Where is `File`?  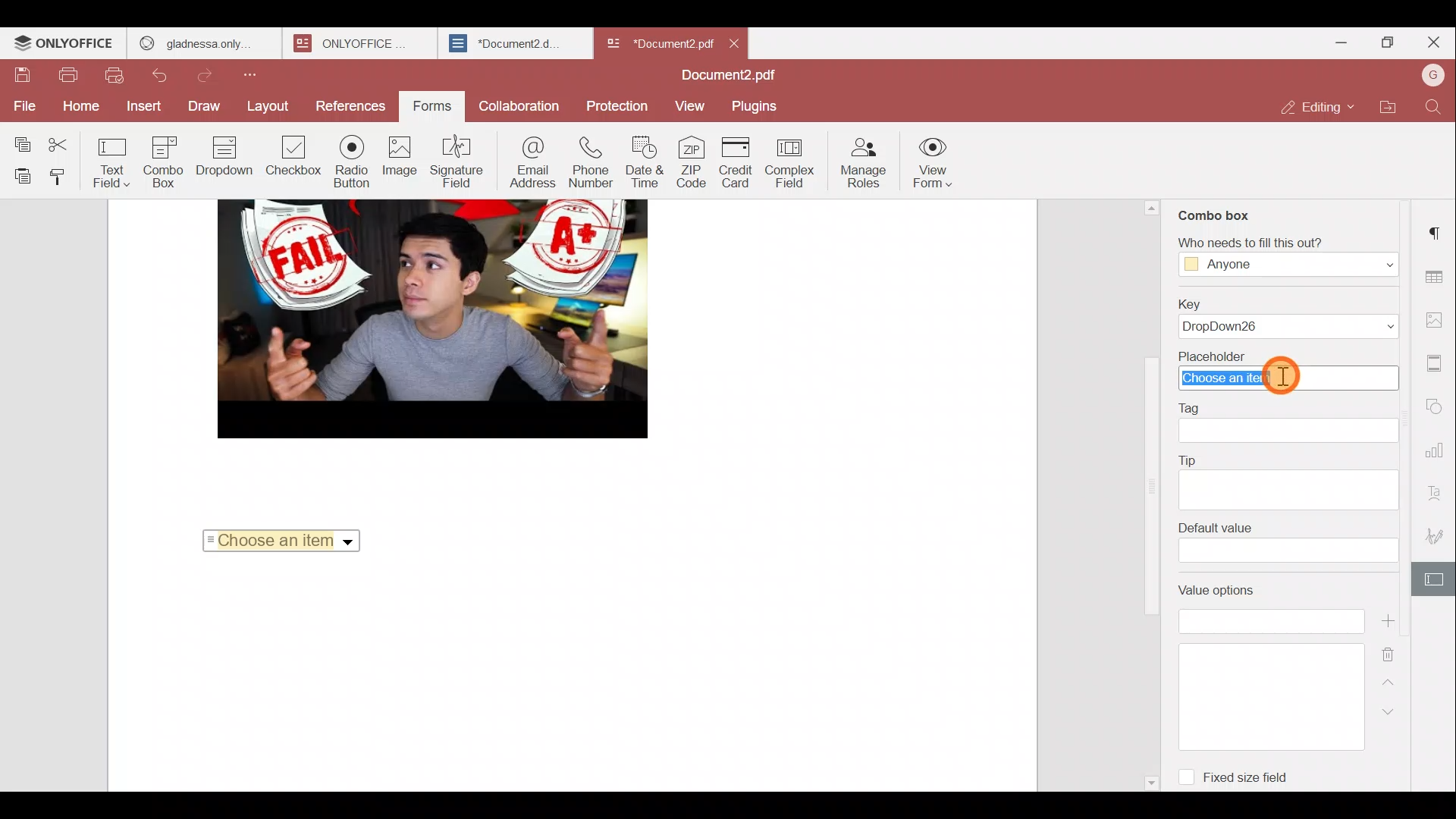
File is located at coordinates (21, 105).